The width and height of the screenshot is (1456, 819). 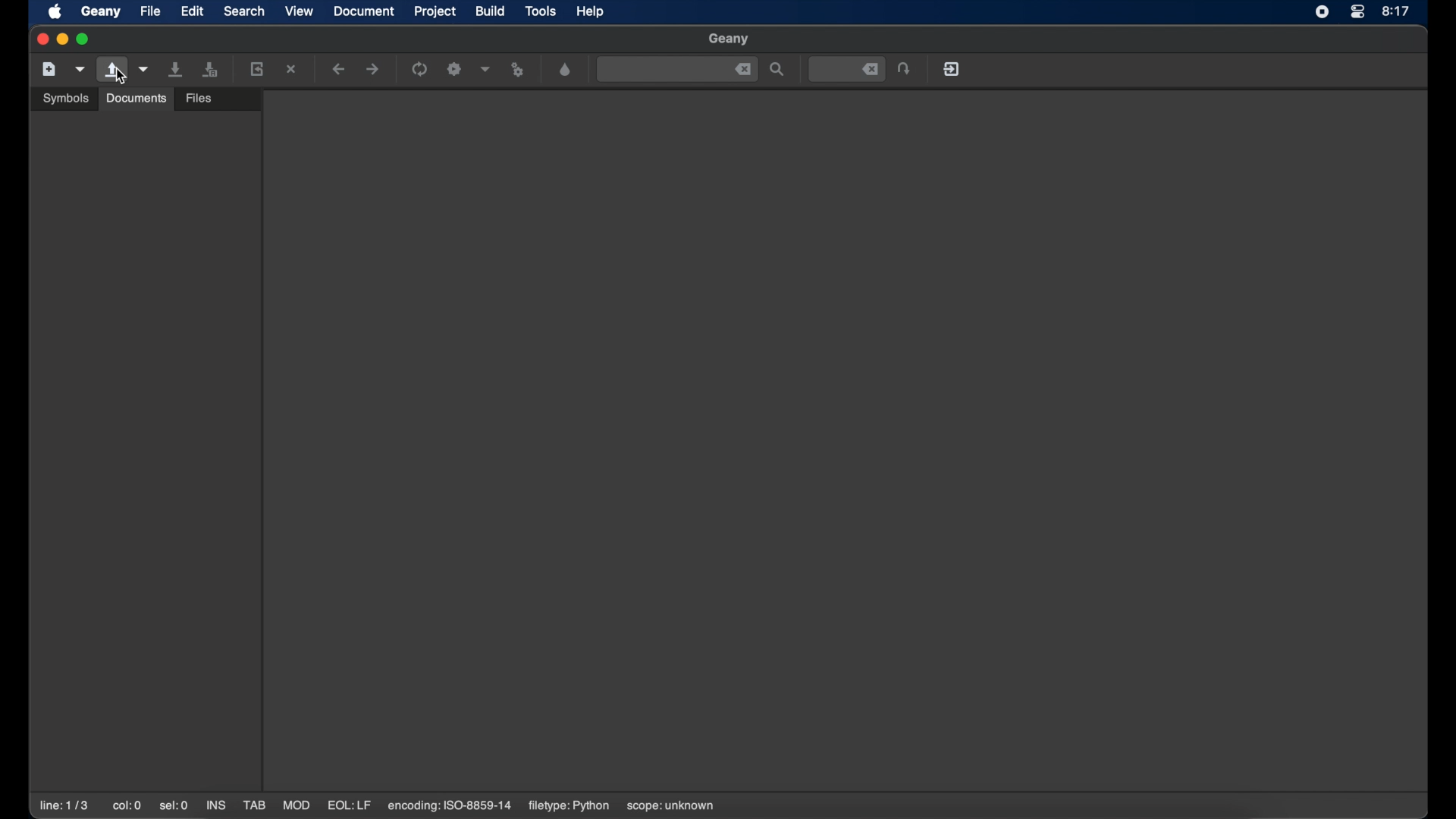 What do you see at coordinates (136, 99) in the screenshot?
I see `documents` at bounding box center [136, 99].